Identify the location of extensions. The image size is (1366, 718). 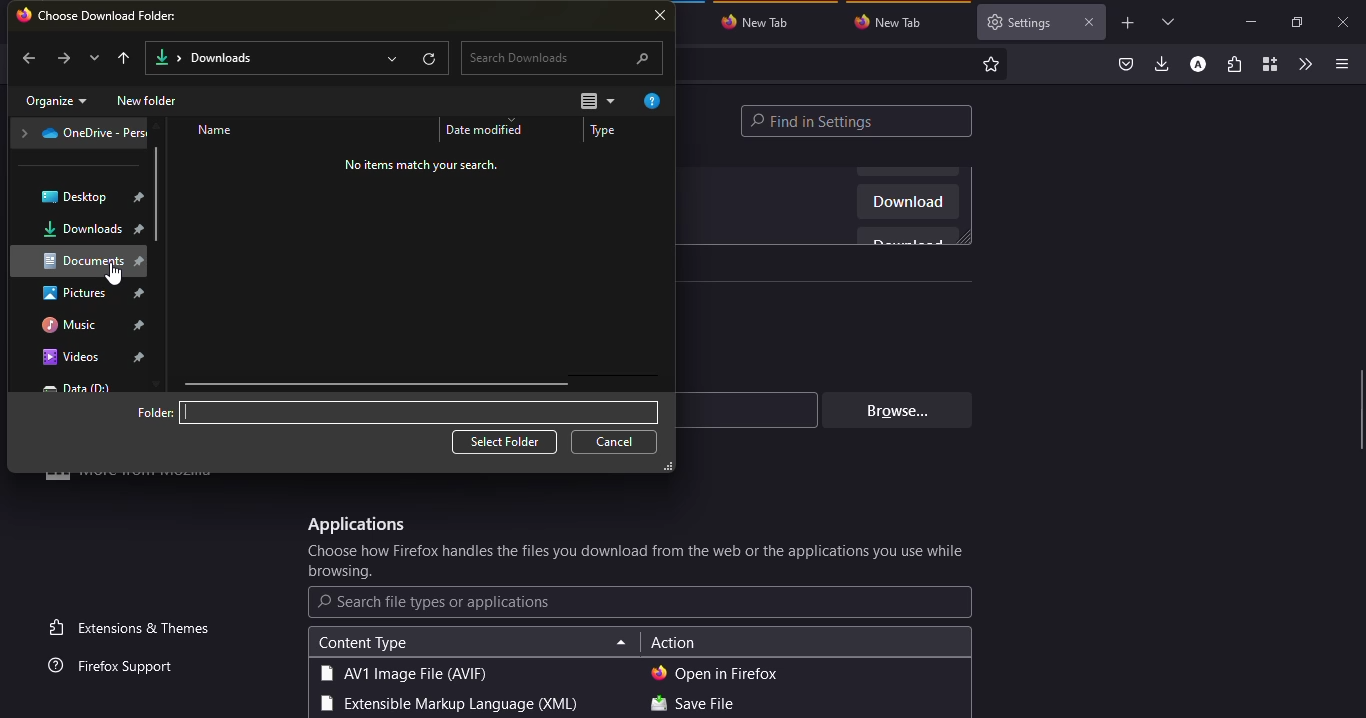
(1234, 66).